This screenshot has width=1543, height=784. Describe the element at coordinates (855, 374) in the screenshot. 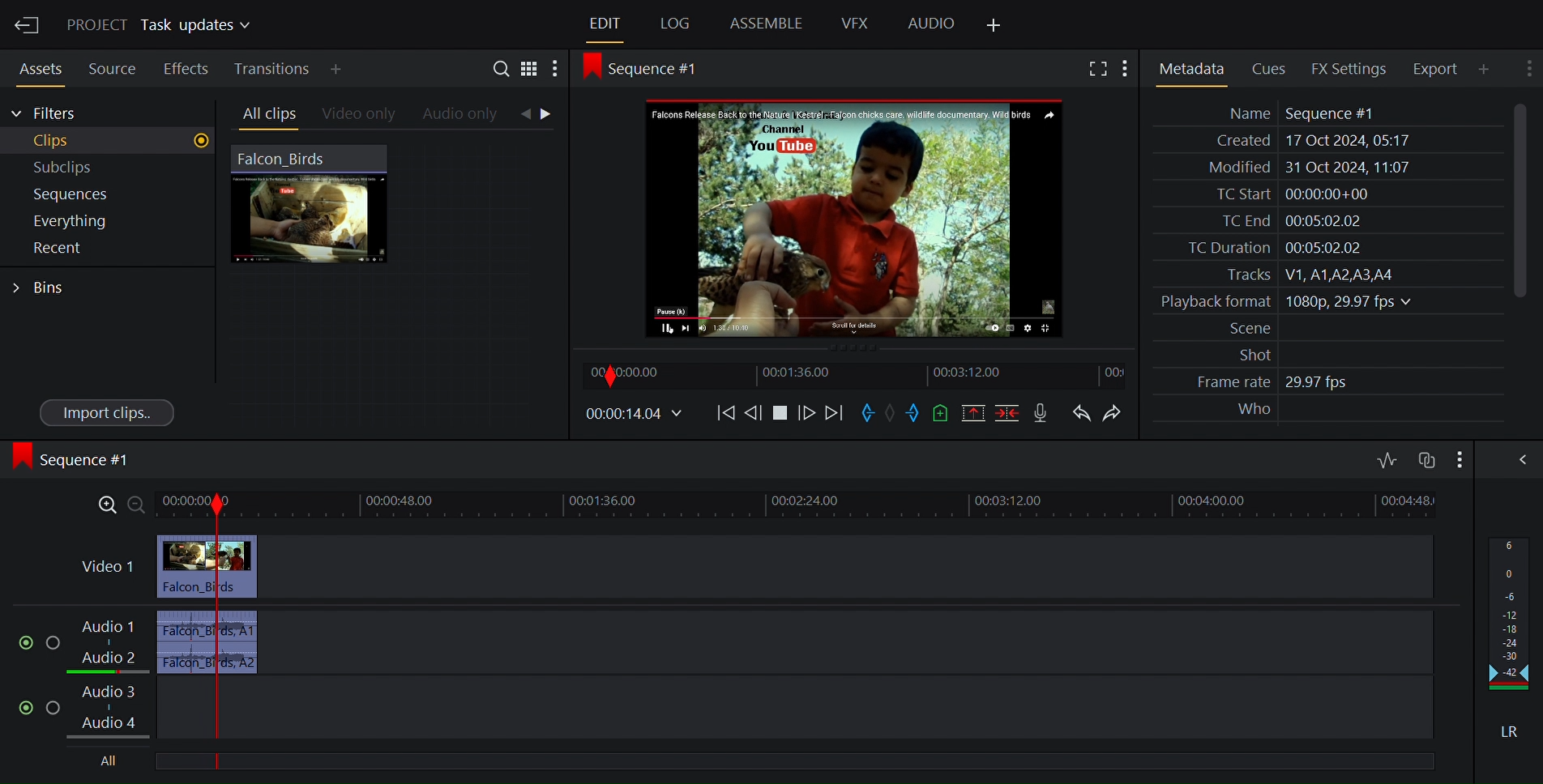

I see `Timeline` at that location.